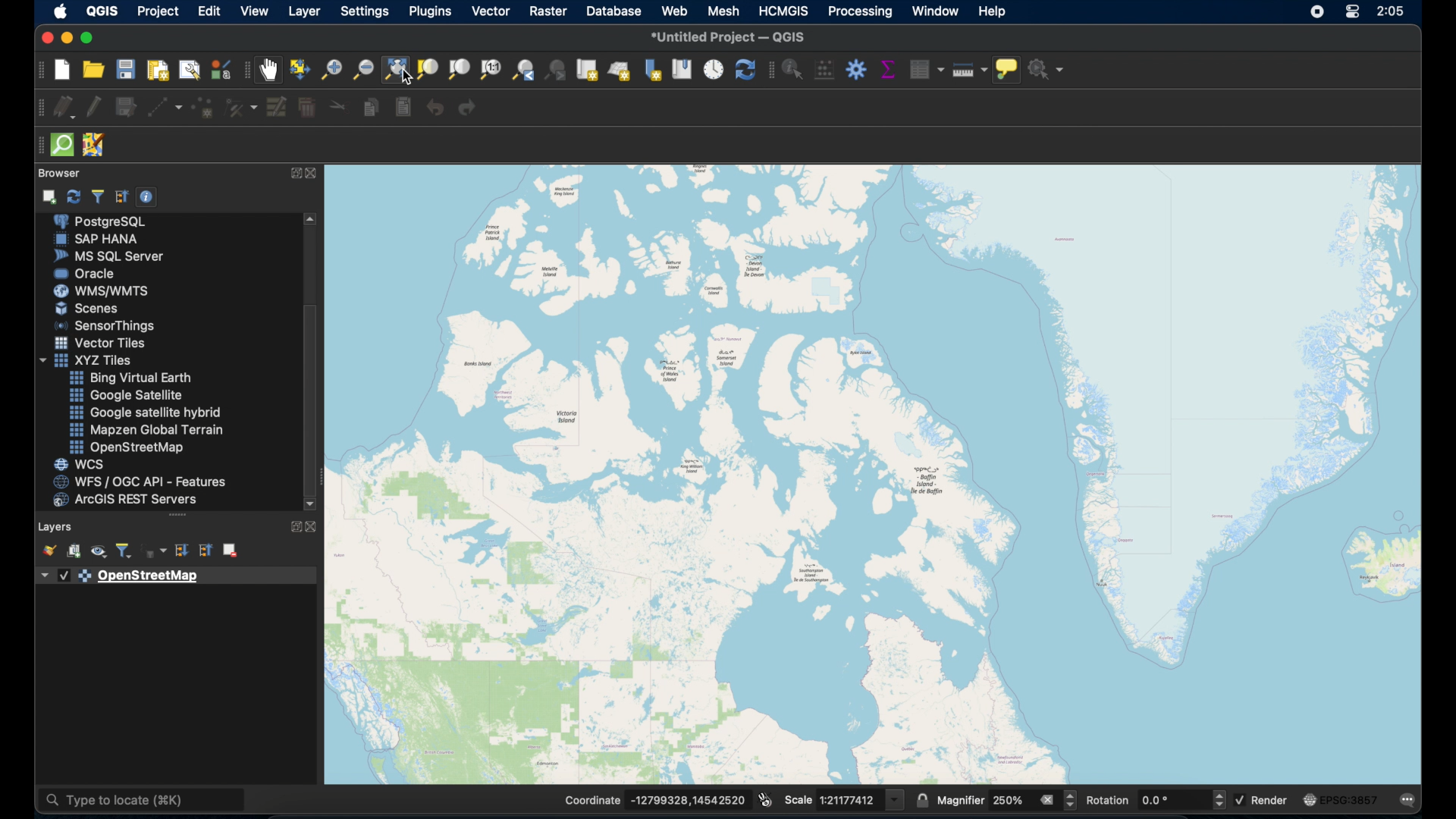  What do you see at coordinates (154, 548) in the screenshot?
I see `filter legend by expression` at bounding box center [154, 548].